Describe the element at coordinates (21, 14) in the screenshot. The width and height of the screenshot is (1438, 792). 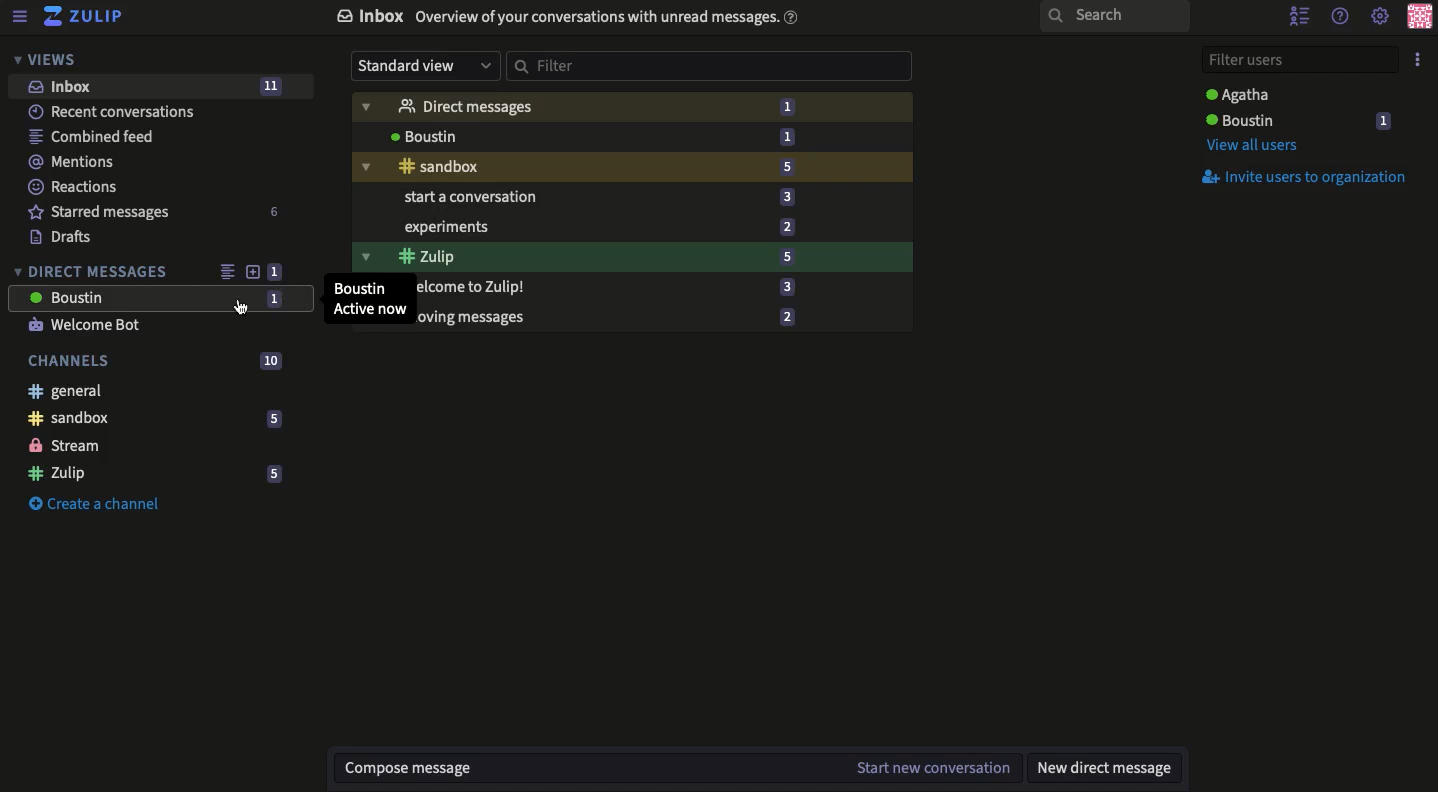
I see `Menu` at that location.